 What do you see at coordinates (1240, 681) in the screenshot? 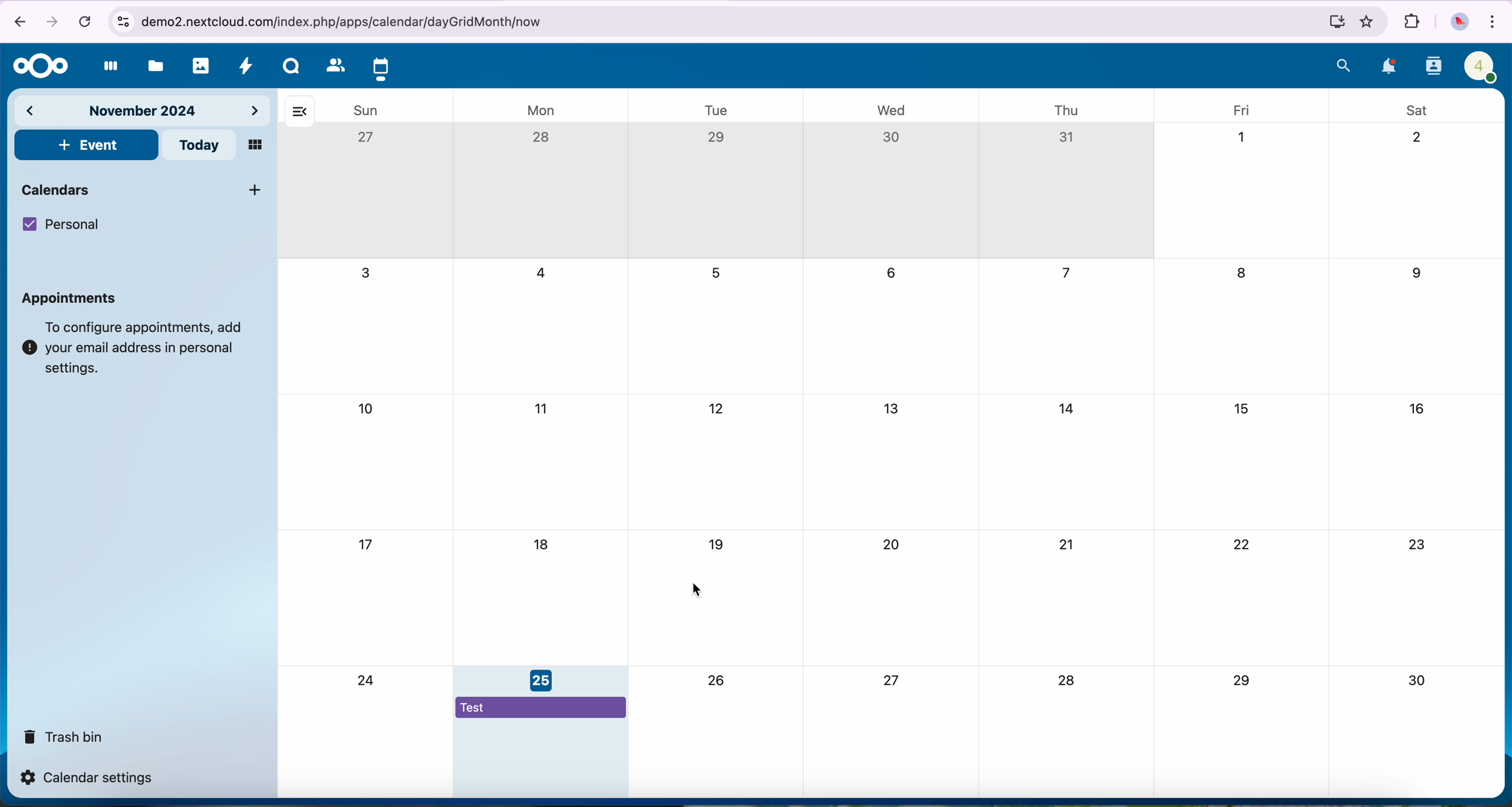
I see `29` at bounding box center [1240, 681].